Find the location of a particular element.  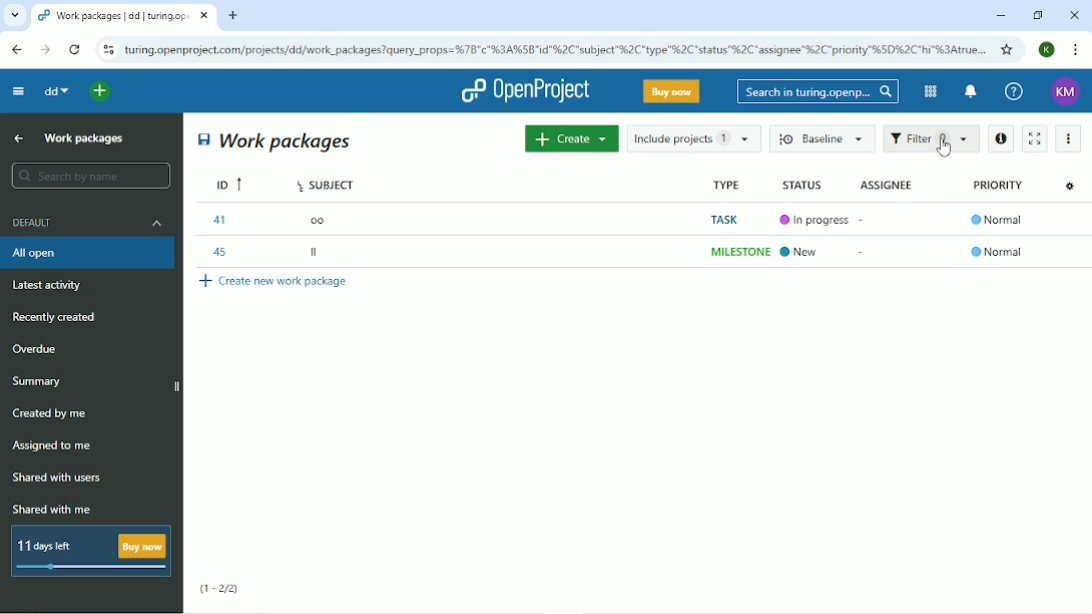

Type is located at coordinates (726, 185).